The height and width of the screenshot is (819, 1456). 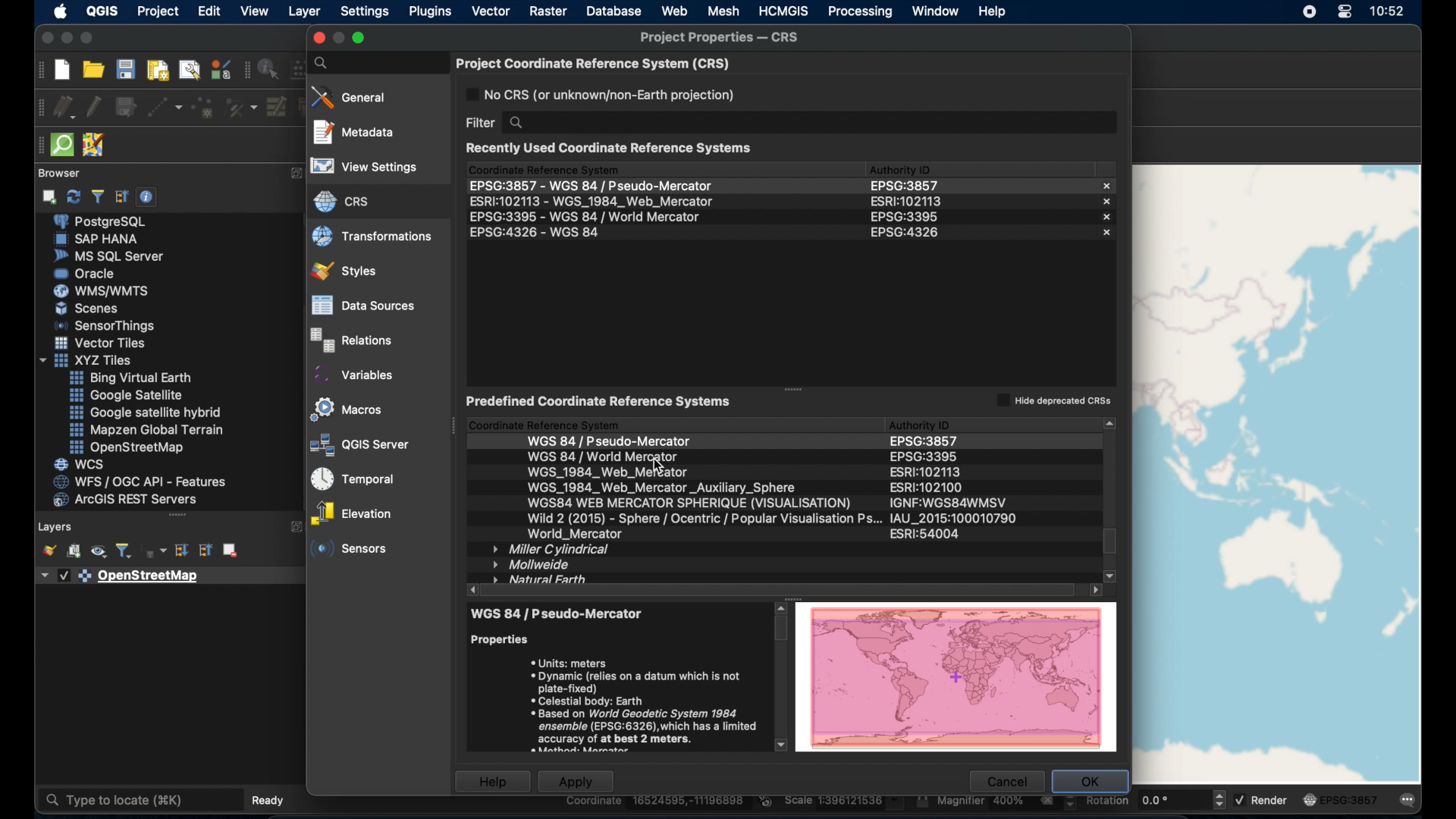 What do you see at coordinates (664, 488) in the screenshot?
I see `wsg 1984` at bounding box center [664, 488].